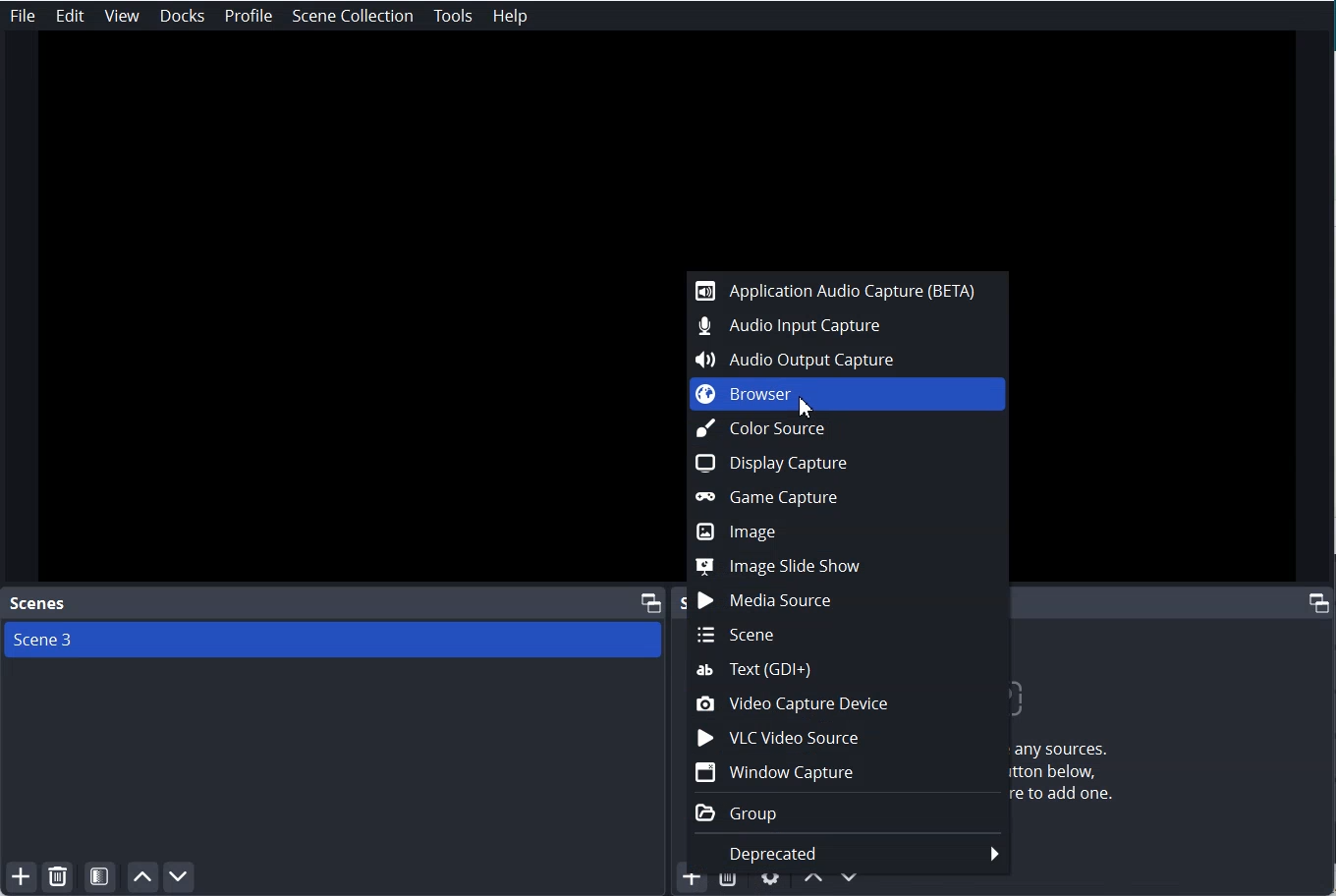 The width and height of the screenshot is (1336, 896). What do you see at coordinates (181, 877) in the screenshot?
I see `Move scene Down` at bounding box center [181, 877].